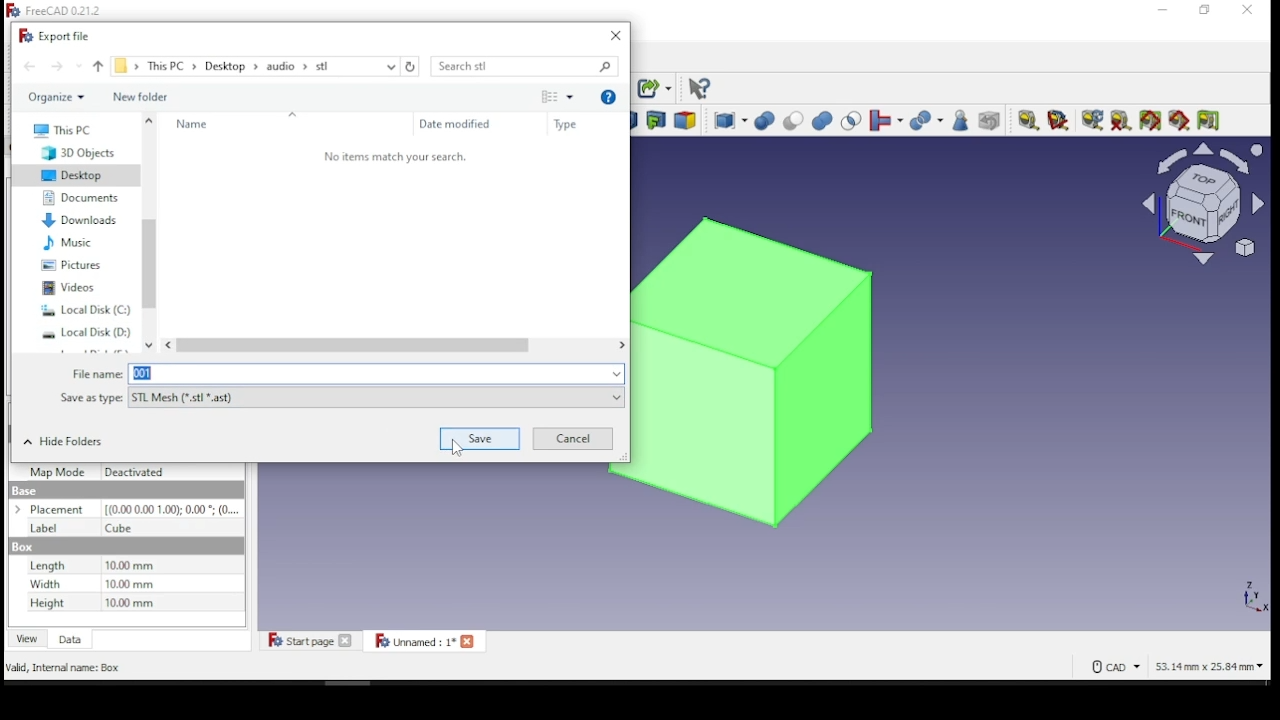  I want to click on Width, so click(47, 584).